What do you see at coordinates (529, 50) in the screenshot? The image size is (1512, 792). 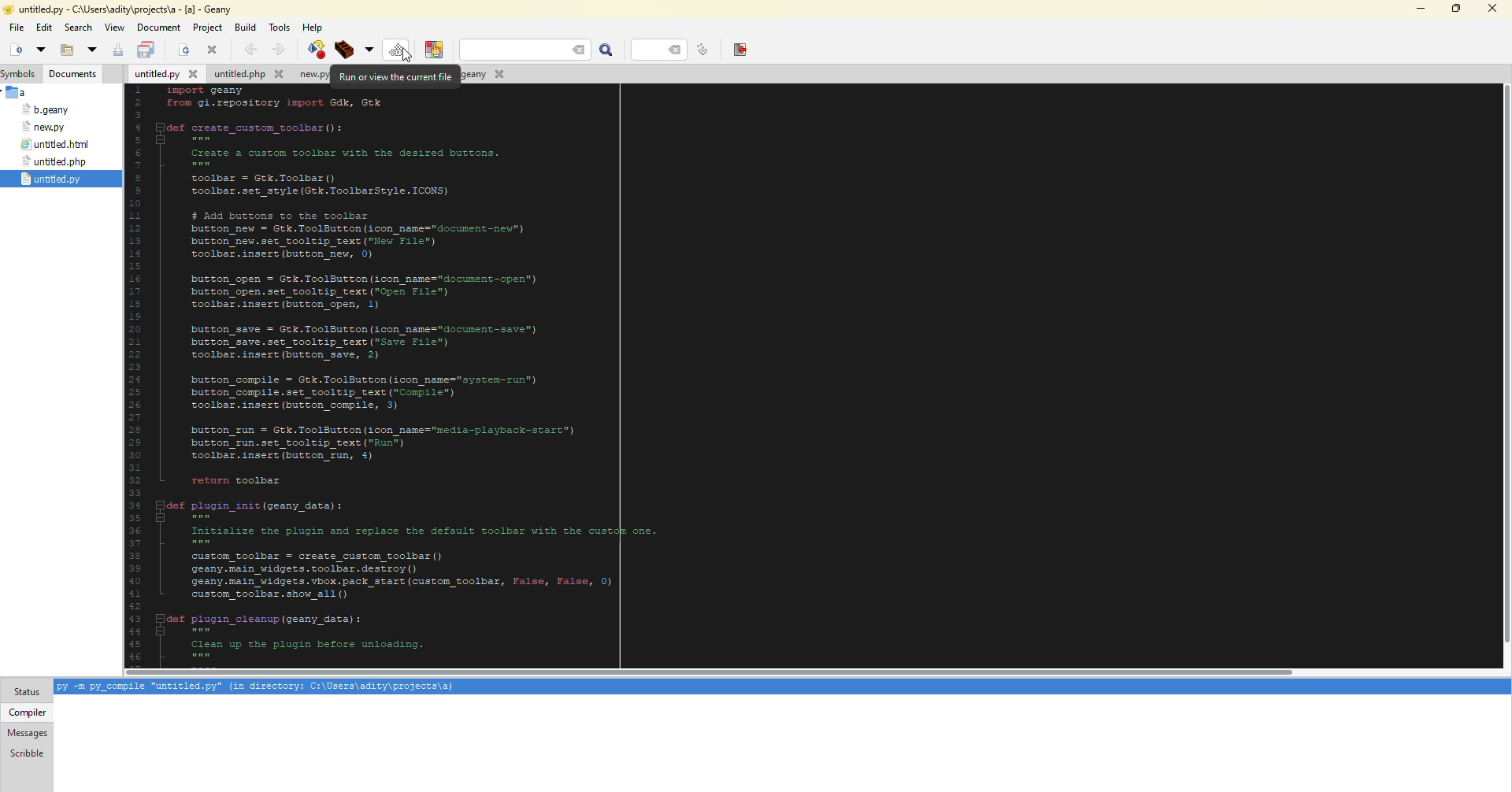 I see `search` at bounding box center [529, 50].